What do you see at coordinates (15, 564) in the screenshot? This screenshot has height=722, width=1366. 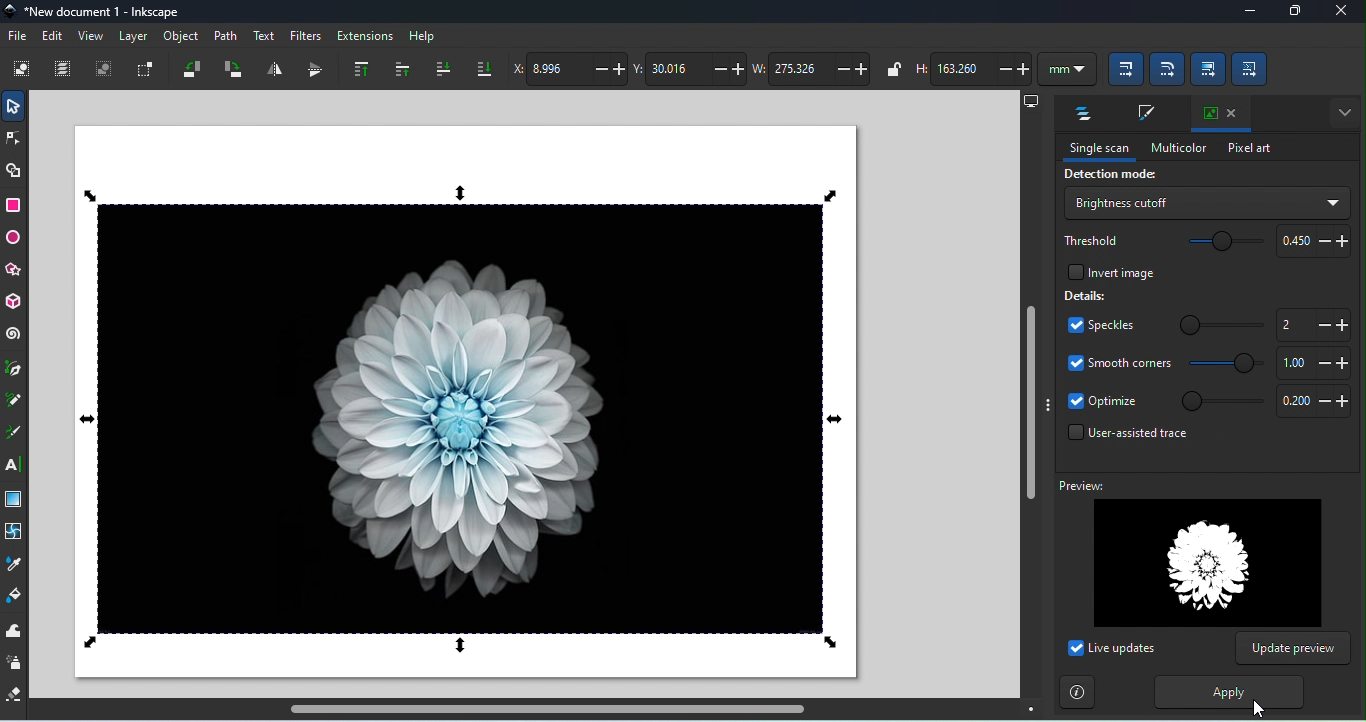 I see `Dropper tool` at bounding box center [15, 564].